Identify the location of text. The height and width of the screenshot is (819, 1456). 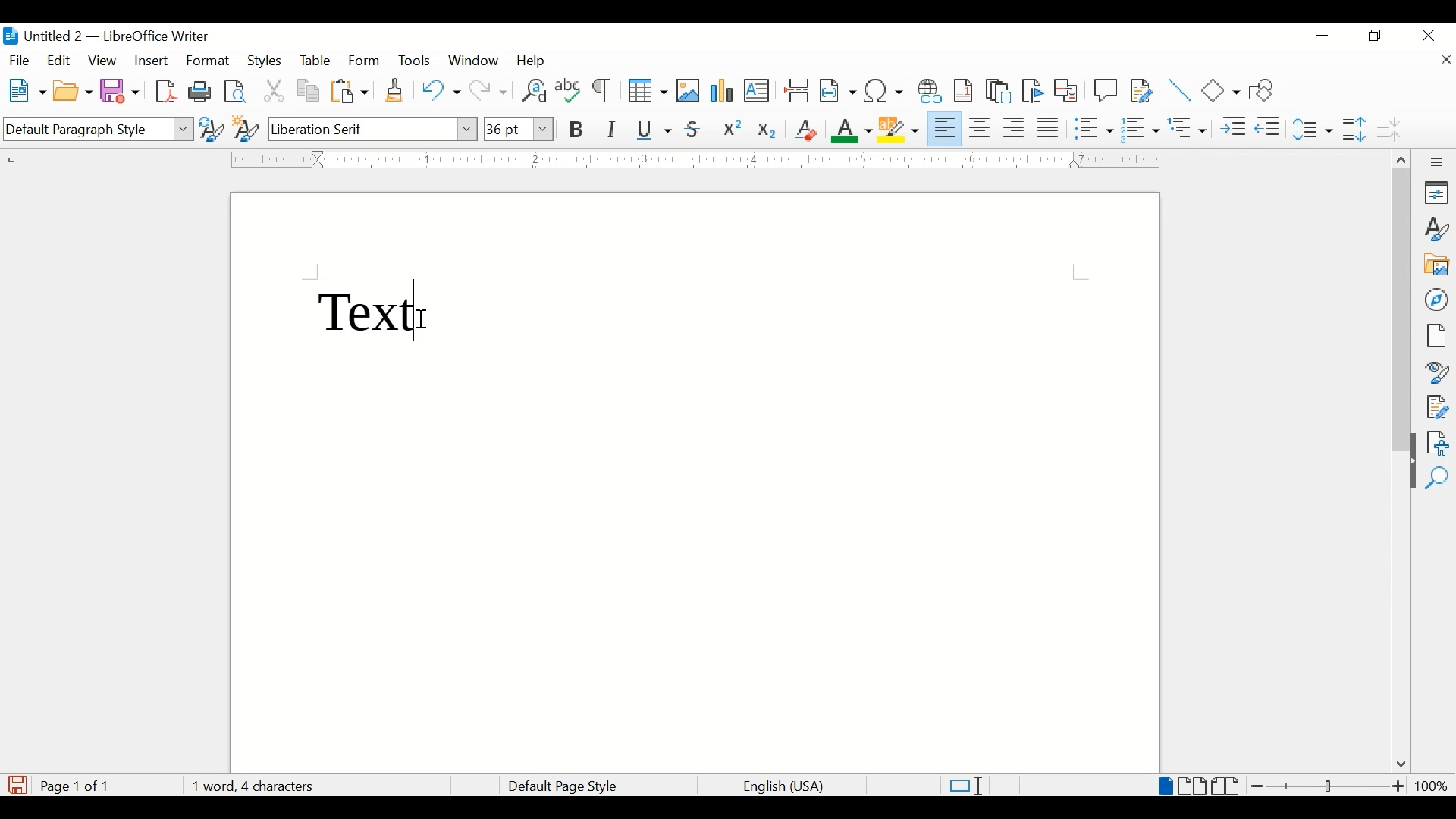
(369, 309).